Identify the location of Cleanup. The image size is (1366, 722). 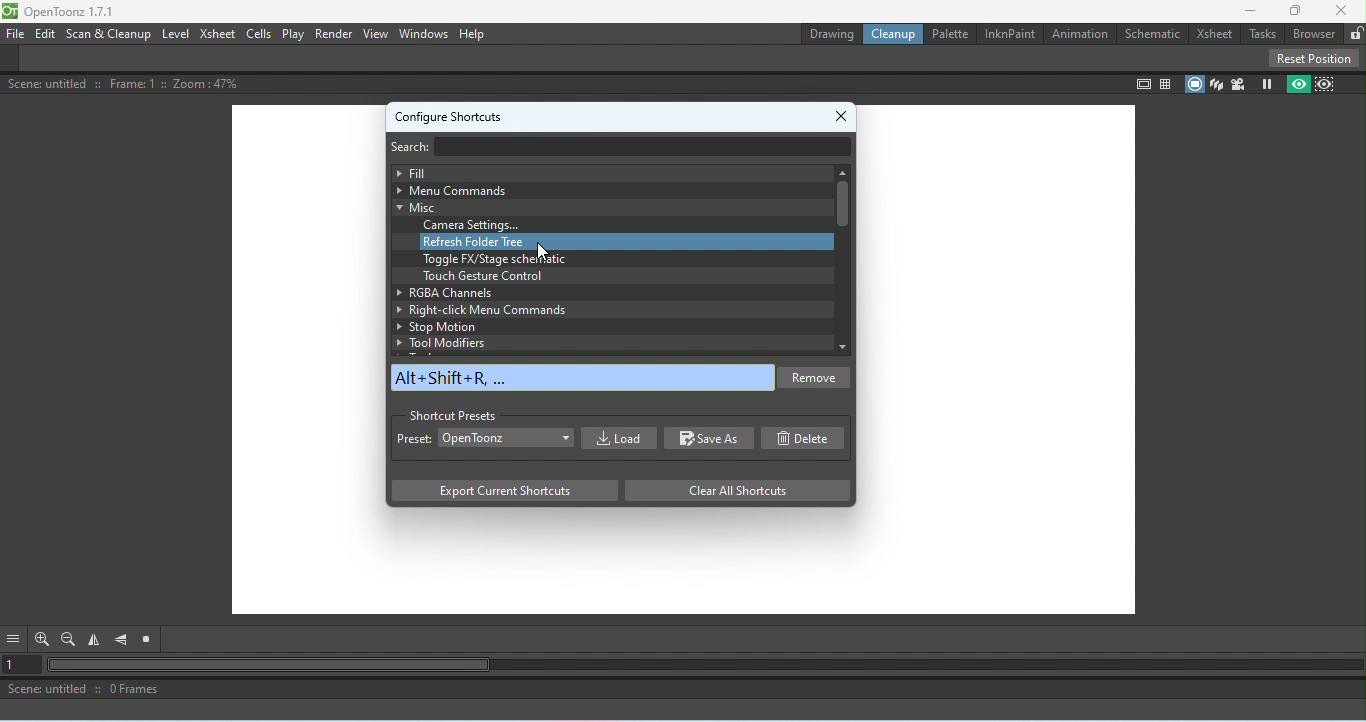
(897, 35).